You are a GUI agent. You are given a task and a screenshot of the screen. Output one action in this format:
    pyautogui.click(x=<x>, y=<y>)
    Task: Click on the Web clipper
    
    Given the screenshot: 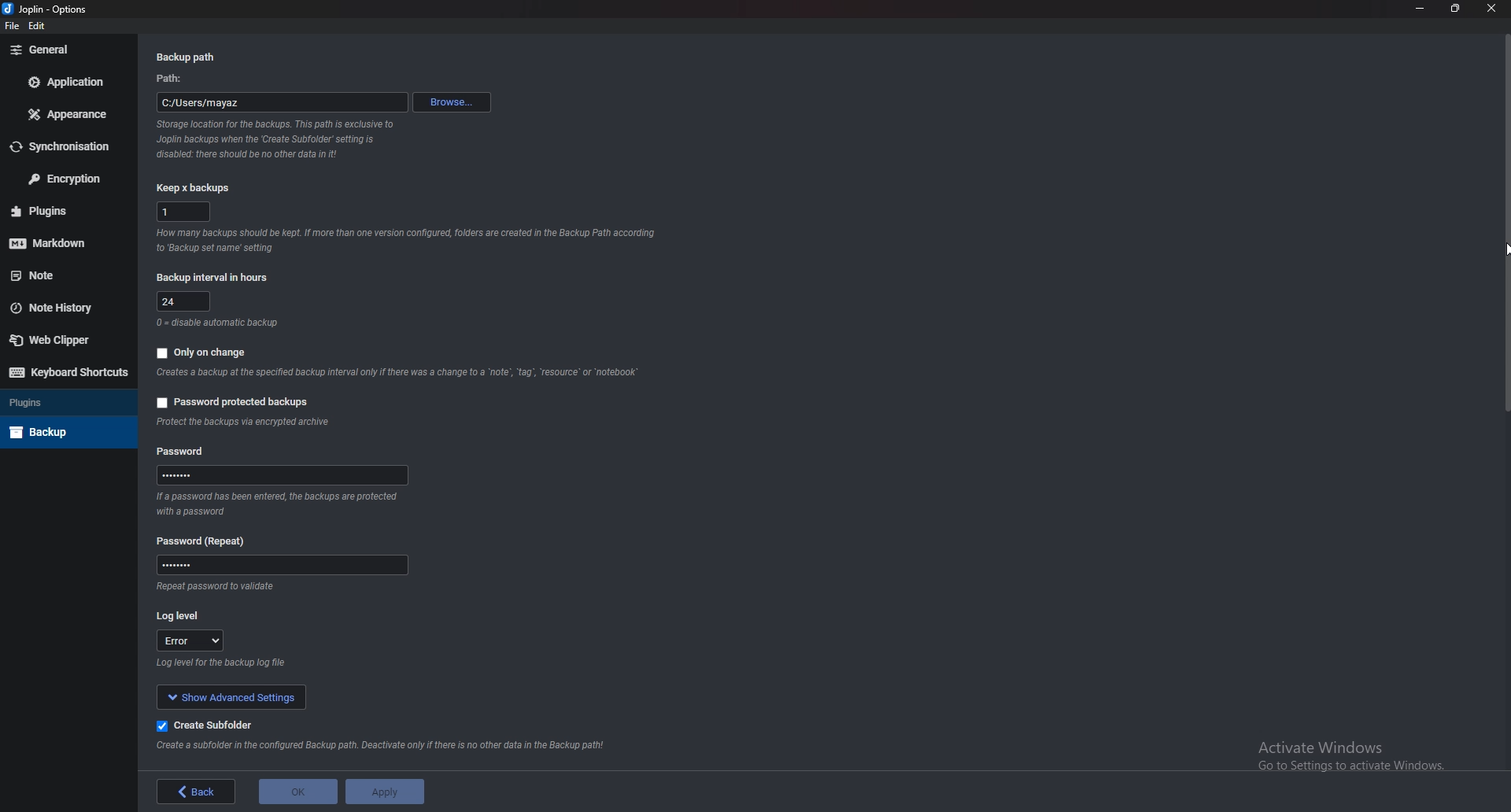 What is the action you would take?
    pyautogui.click(x=59, y=339)
    